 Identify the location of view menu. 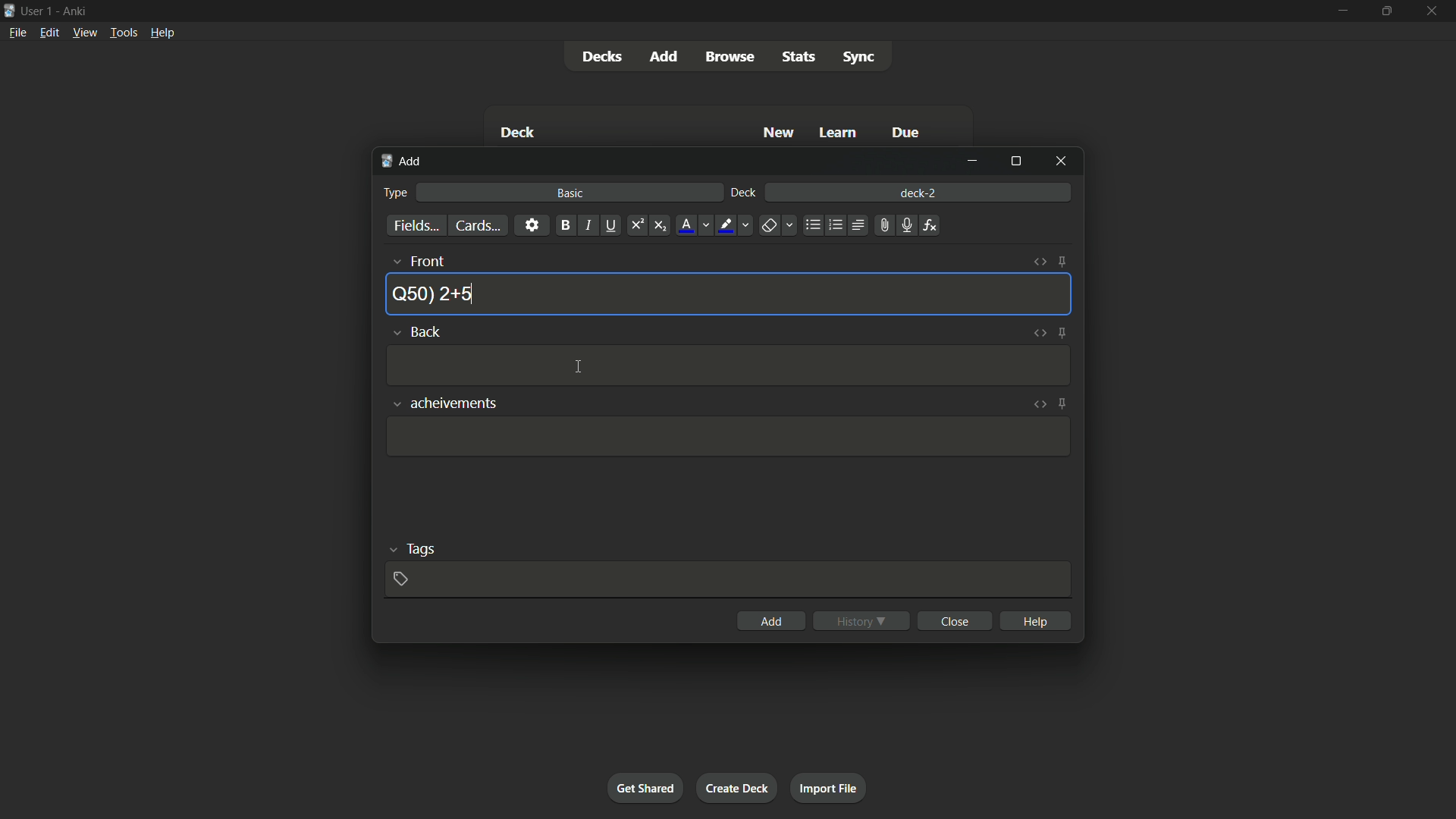
(85, 33).